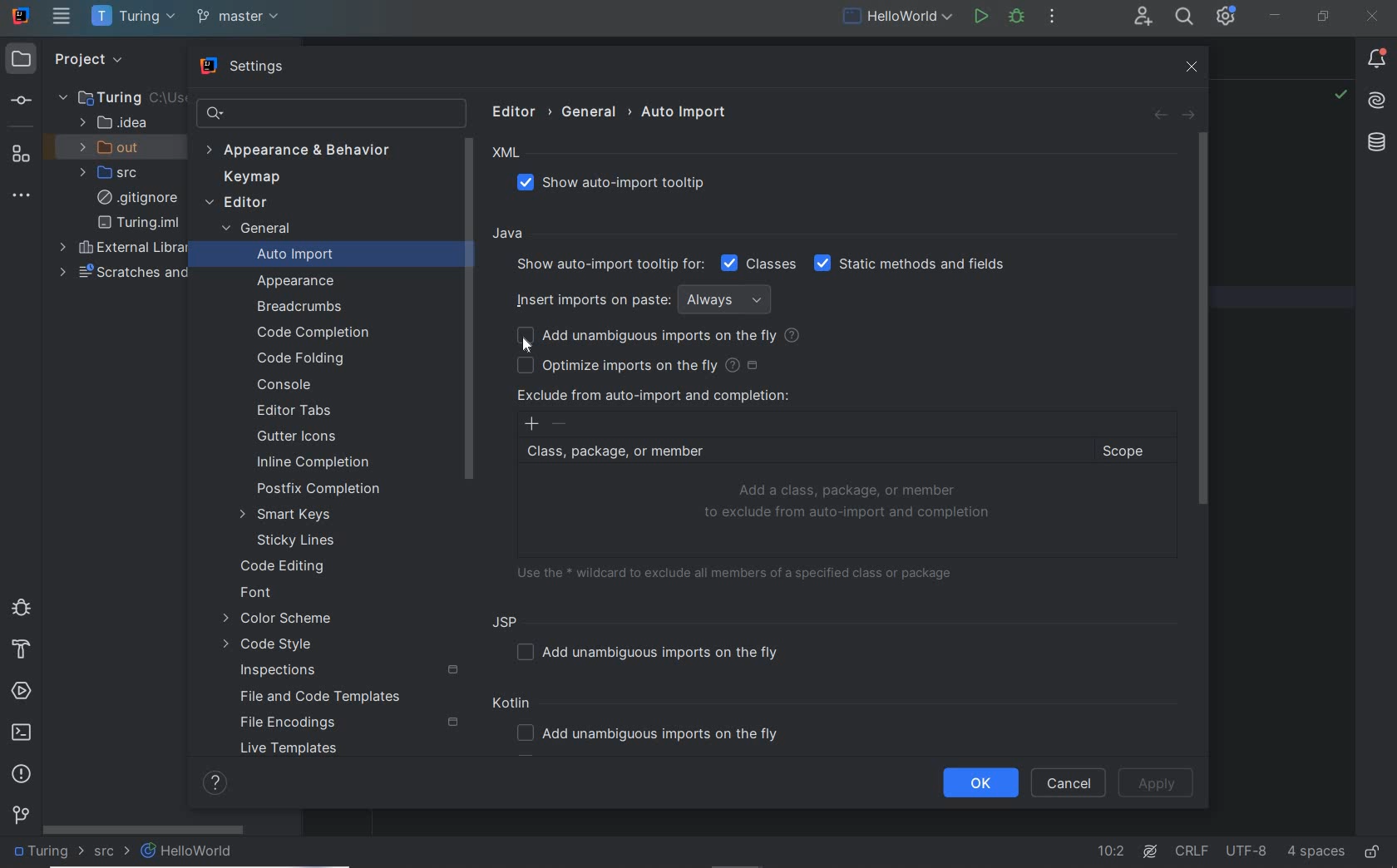  Describe the element at coordinates (138, 223) in the screenshot. I see `turing.iml` at that location.